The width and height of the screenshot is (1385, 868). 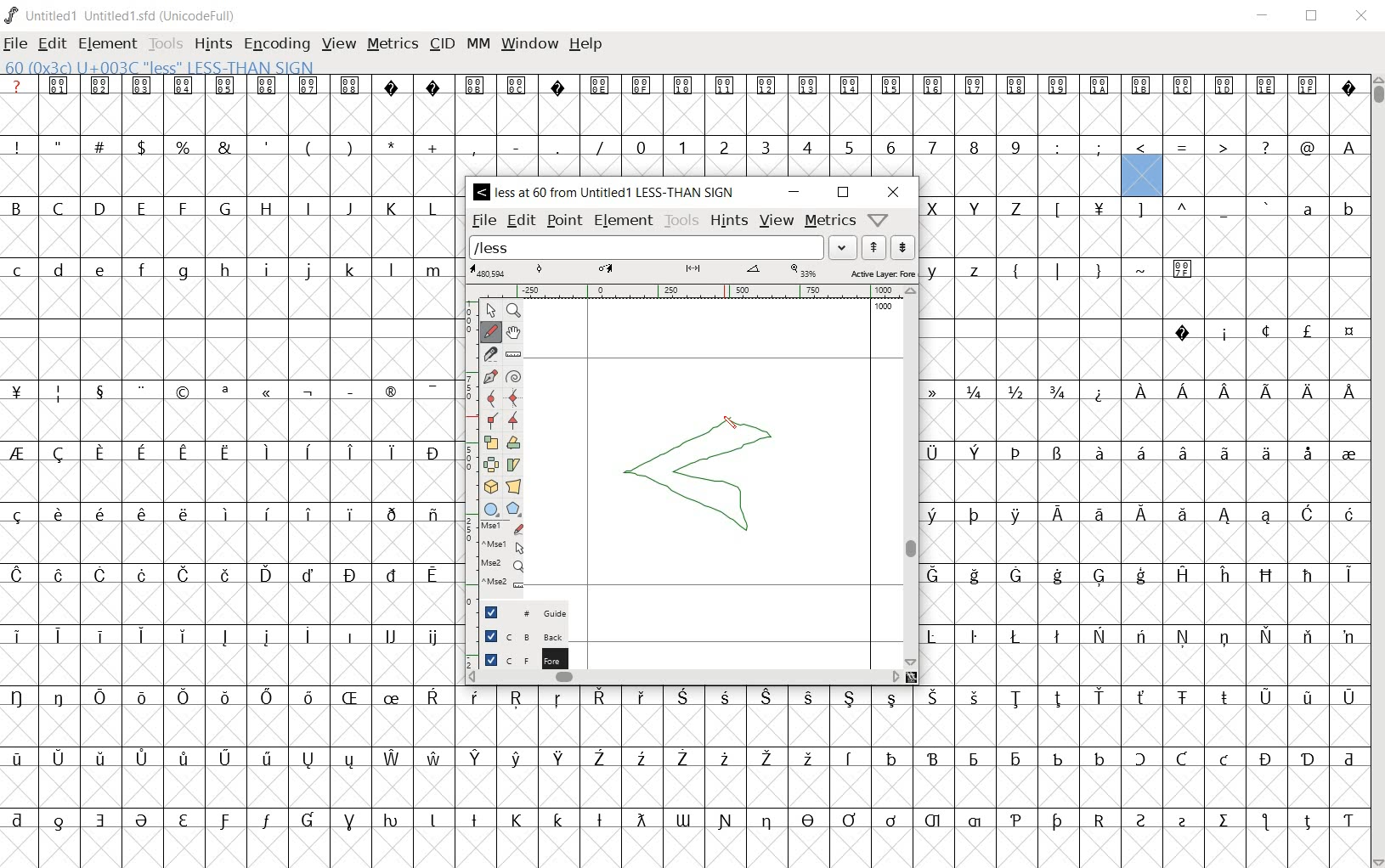 What do you see at coordinates (1262, 176) in the screenshot?
I see `empty cells` at bounding box center [1262, 176].